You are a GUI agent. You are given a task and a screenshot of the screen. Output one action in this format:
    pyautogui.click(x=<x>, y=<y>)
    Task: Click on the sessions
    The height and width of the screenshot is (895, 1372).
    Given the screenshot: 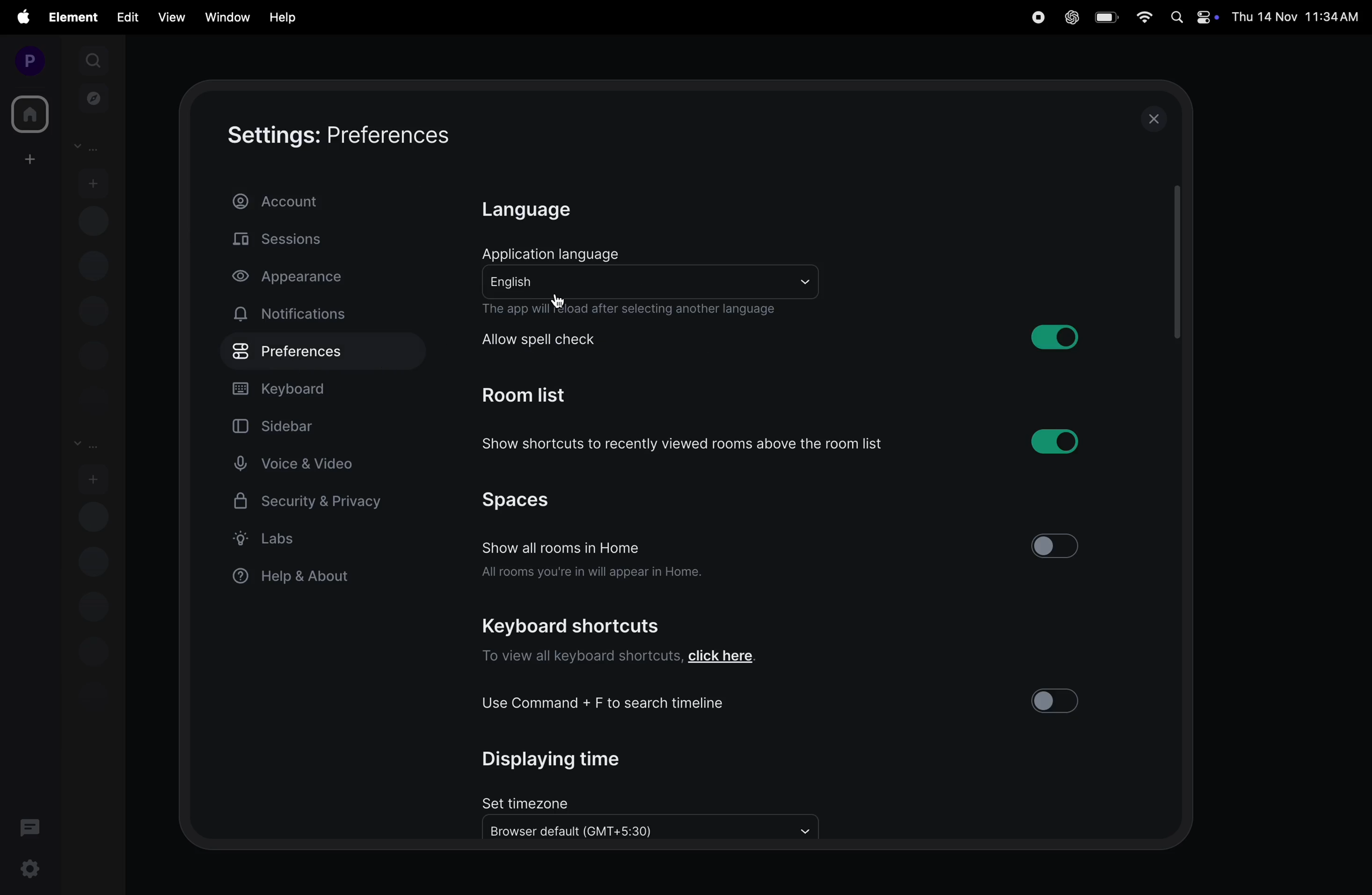 What is the action you would take?
    pyautogui.click(x=310, y=242)
    